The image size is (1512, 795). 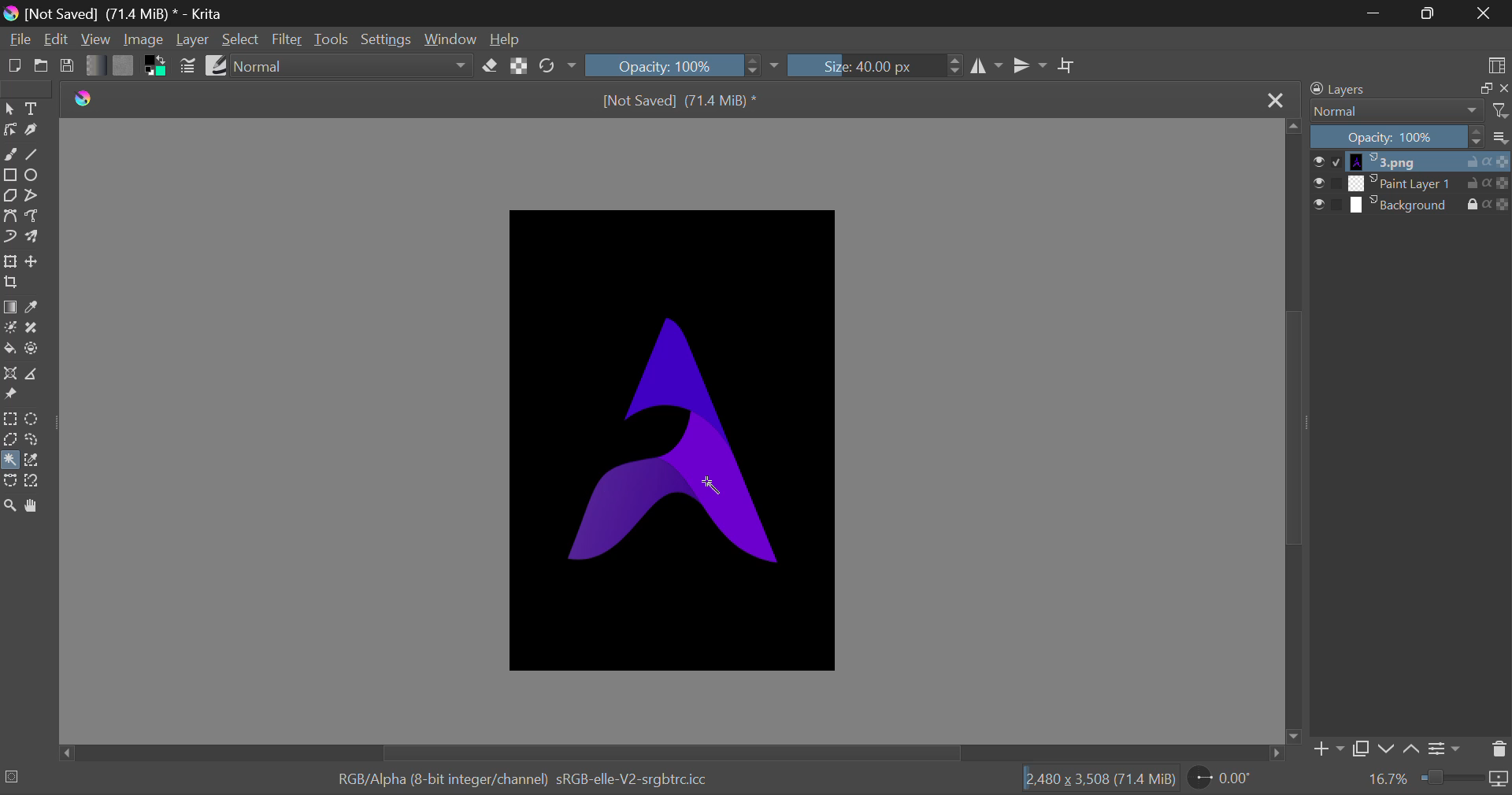 What do you see at coordinates (448, 39) in the screenshot?
I see `Window` at bounding box center [448, 39].